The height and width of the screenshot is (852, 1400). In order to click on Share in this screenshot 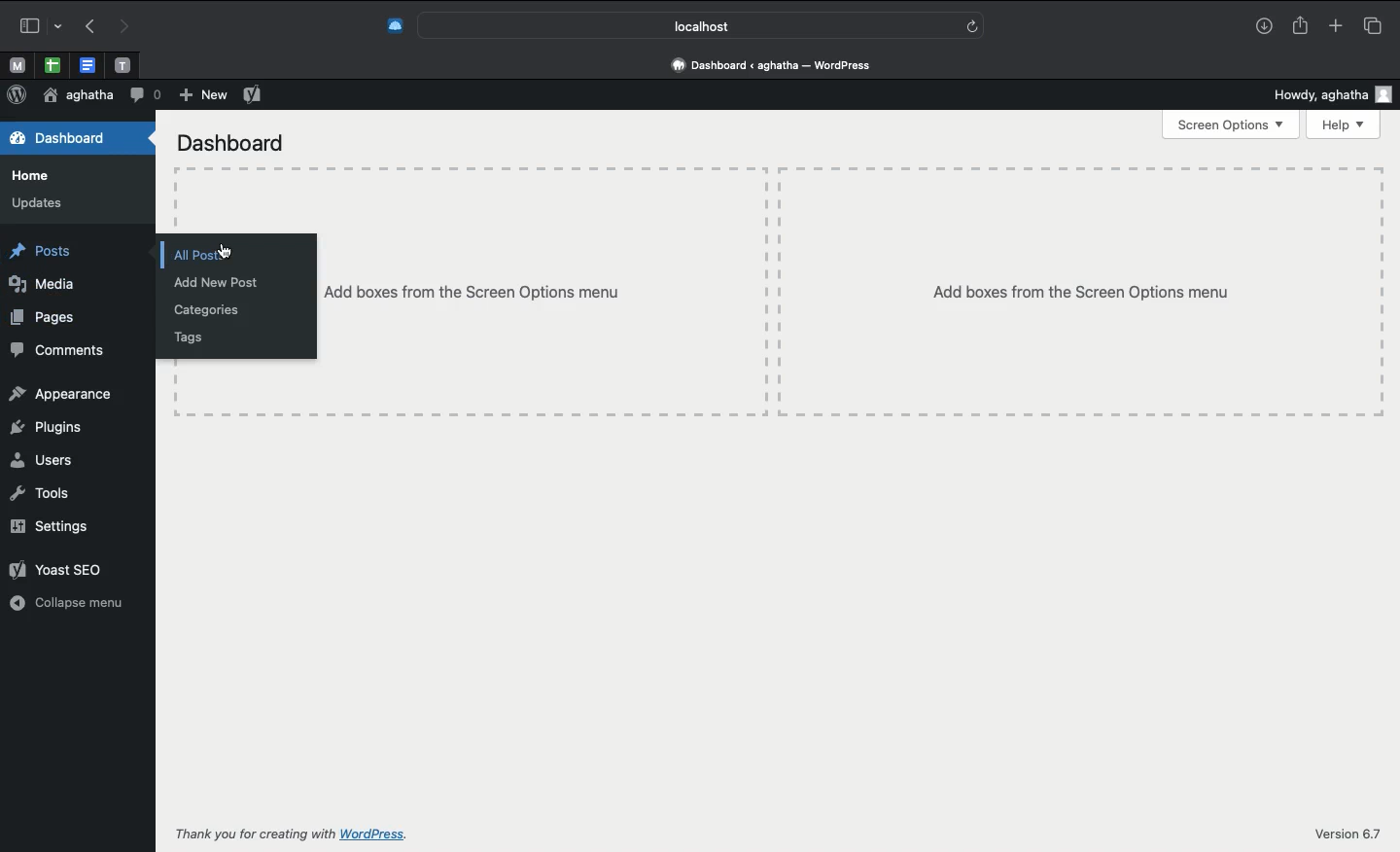, I will do `click(1302, 26)`.